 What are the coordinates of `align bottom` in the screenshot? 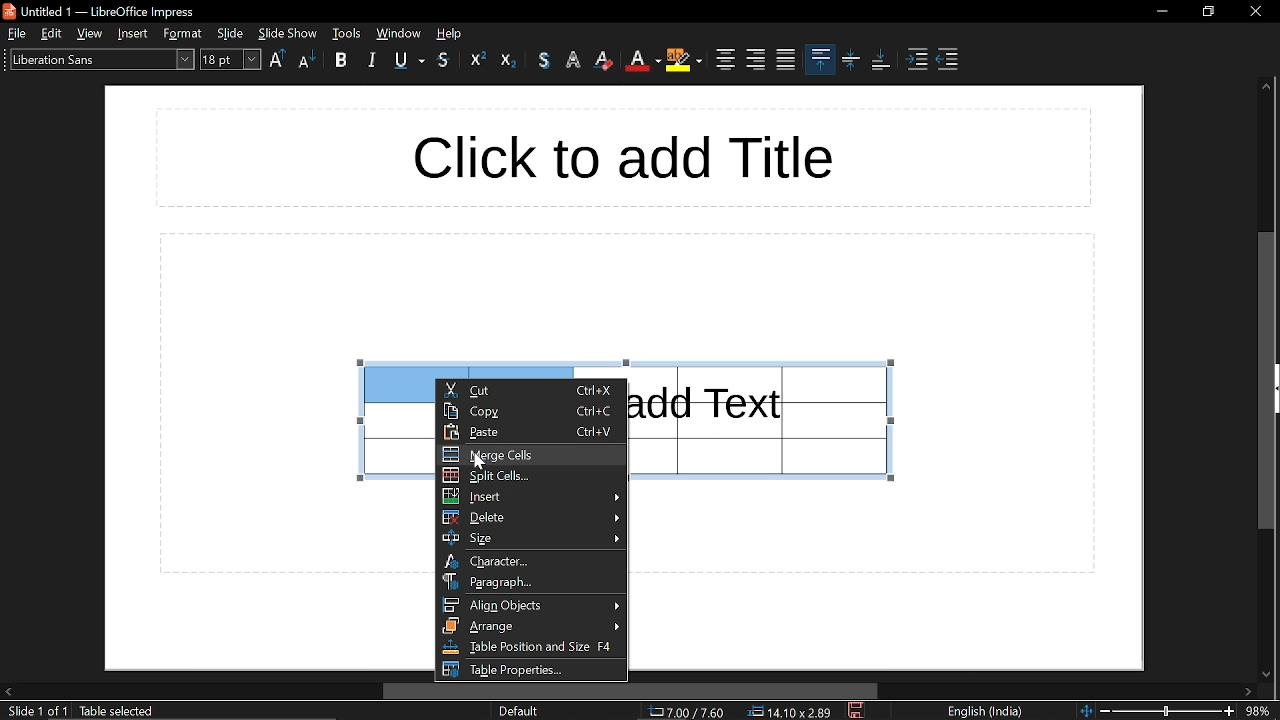 It's located at (880, 60).